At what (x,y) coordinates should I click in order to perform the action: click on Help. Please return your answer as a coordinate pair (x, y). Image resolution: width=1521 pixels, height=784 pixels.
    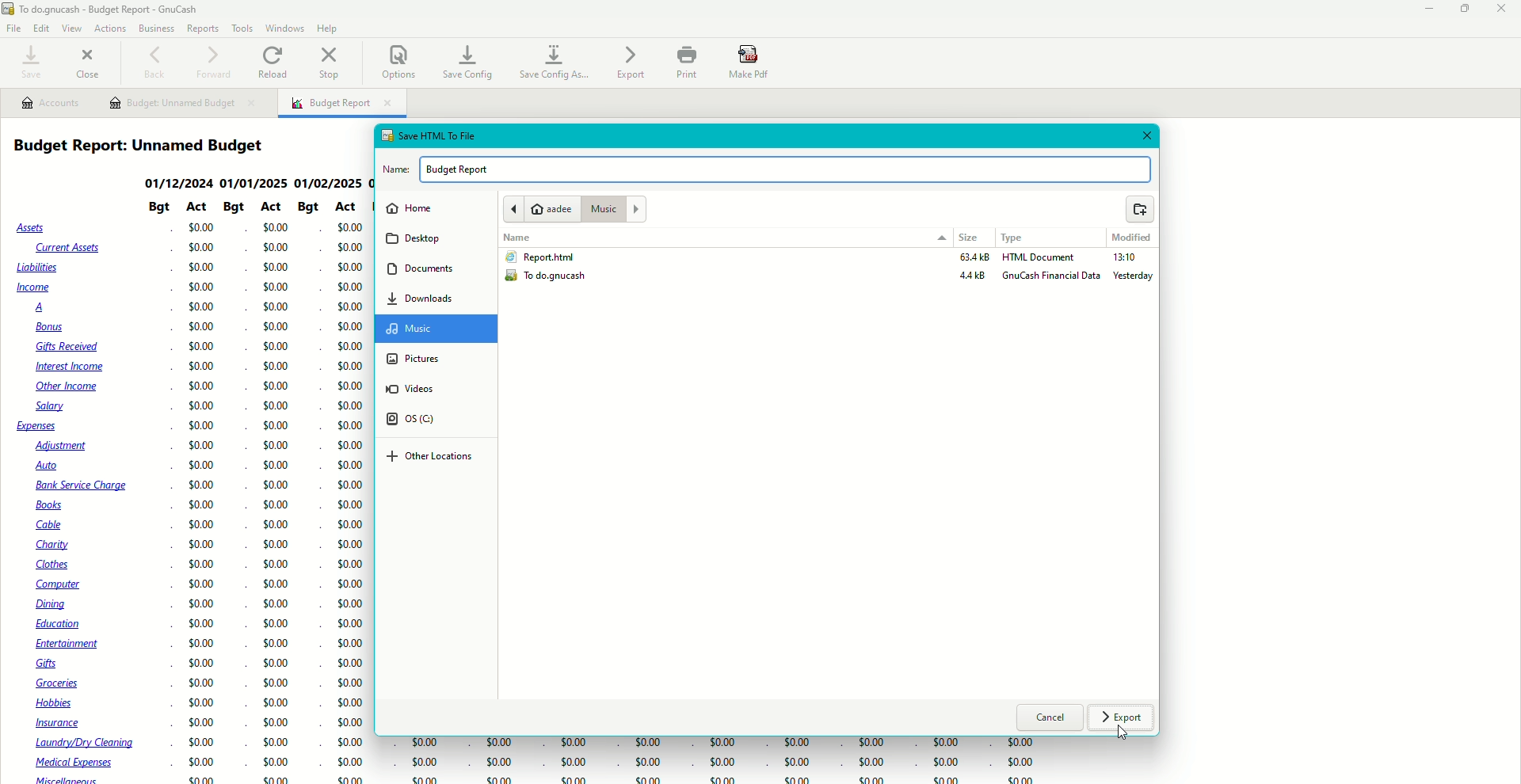
    Looking at the image, I should click on (328, 28).